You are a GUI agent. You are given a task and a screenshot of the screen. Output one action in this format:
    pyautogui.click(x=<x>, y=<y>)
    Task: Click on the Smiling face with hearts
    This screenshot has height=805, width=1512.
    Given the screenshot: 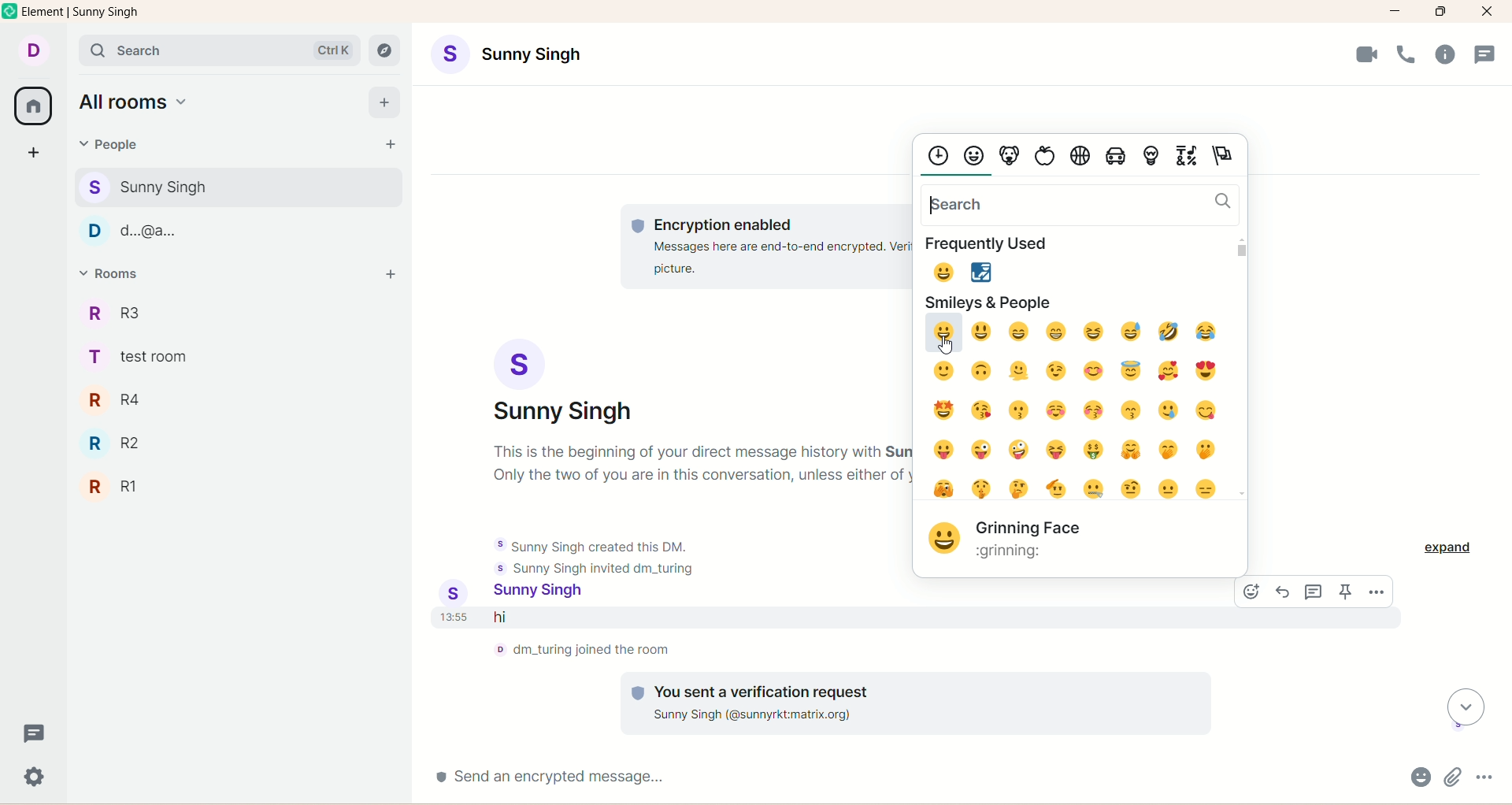 What is the action you would take?
    pyautogui.click(x=1169, y=371)
    